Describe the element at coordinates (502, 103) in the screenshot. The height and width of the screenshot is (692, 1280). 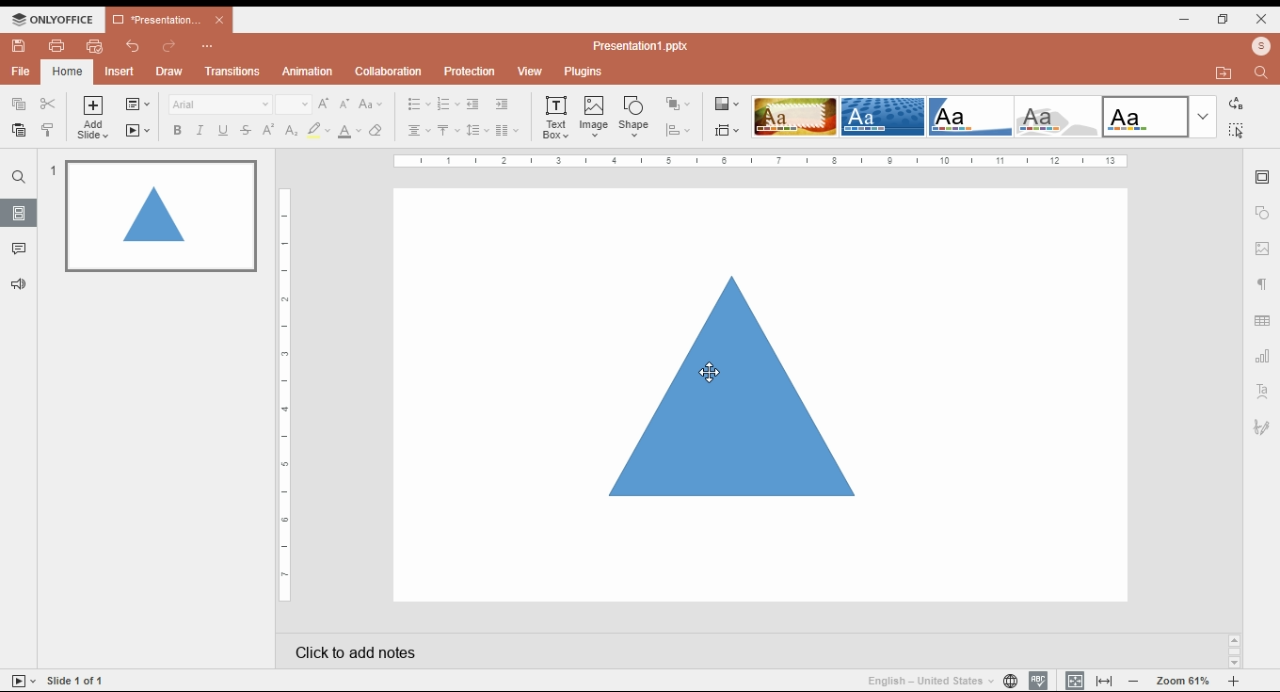
I see `increase indent` at that location.